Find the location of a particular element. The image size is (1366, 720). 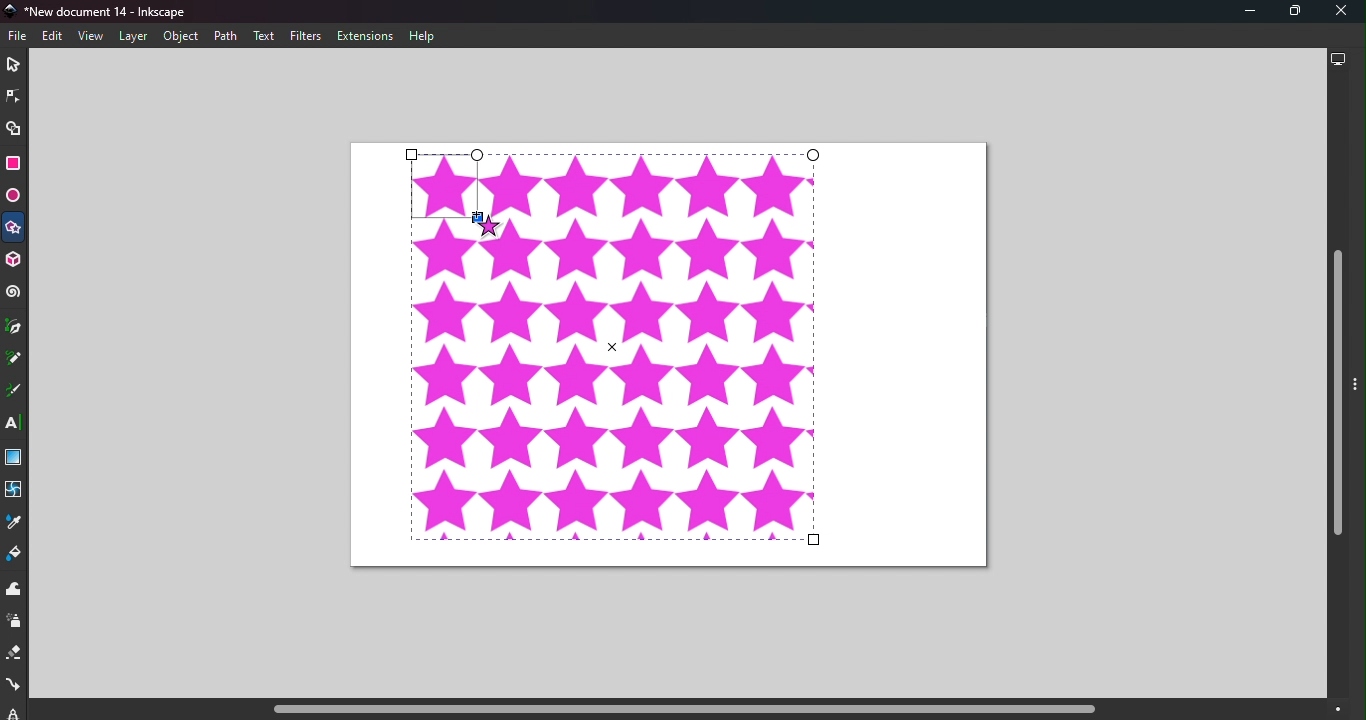

Display options is located at coordinates (1338, 62).